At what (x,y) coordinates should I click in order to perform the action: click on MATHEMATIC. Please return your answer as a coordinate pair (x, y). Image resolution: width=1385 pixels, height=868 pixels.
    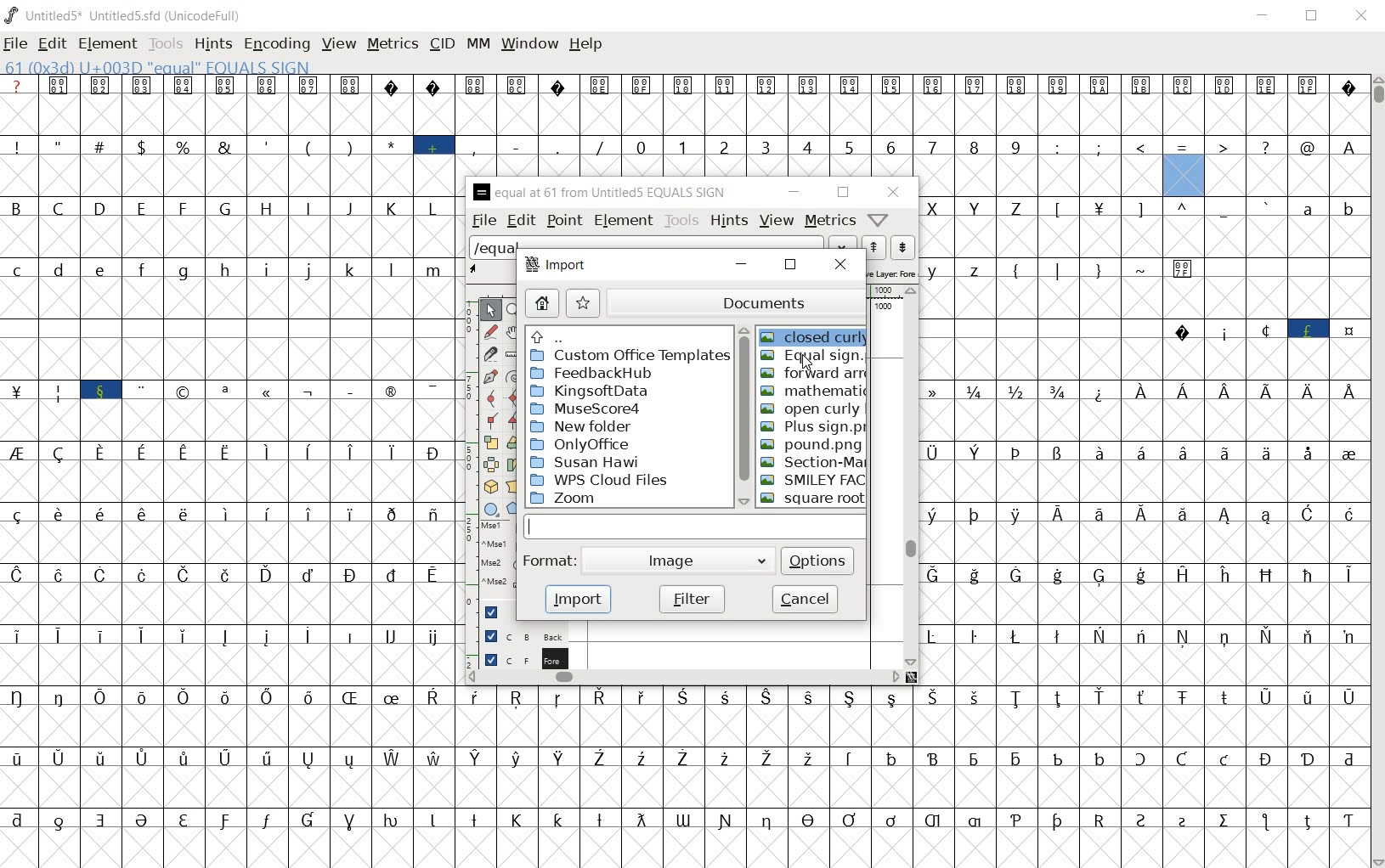
    Looking at the image, I should click on (817, 389).